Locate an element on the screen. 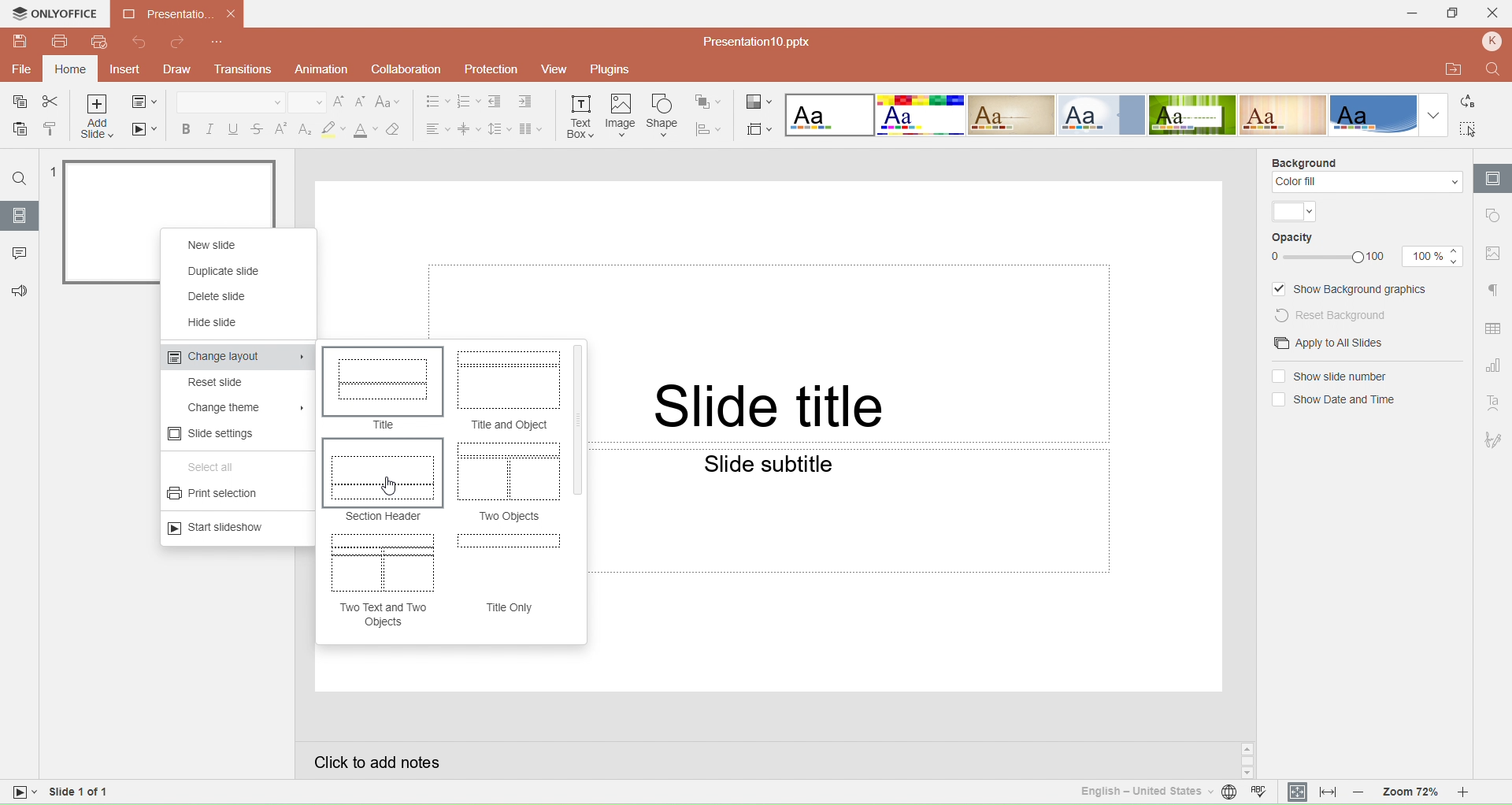  Delete slide is located at coordinates (227, 296).